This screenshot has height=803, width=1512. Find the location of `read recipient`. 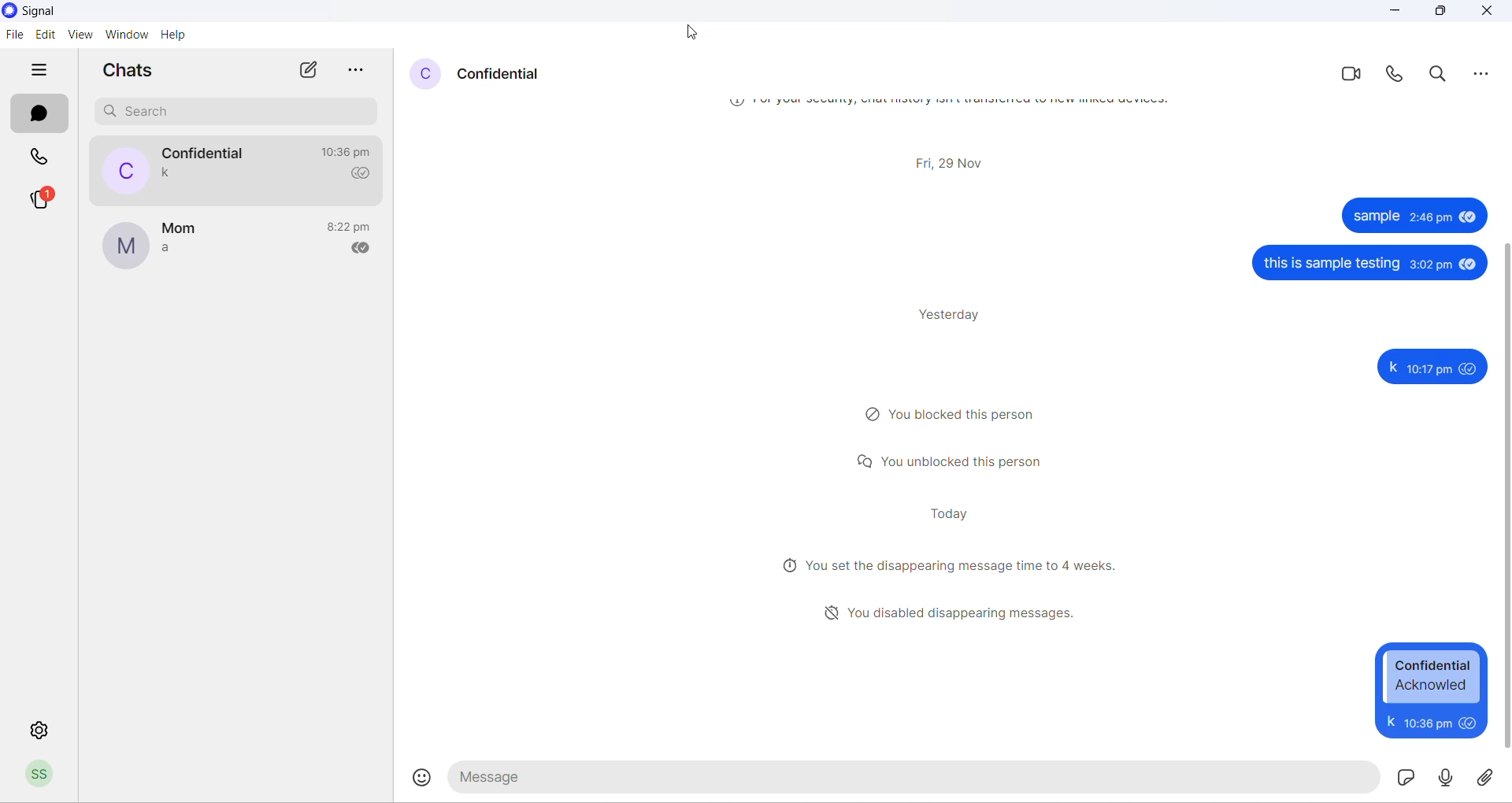

read recipient is located at coordinates (362, 174).